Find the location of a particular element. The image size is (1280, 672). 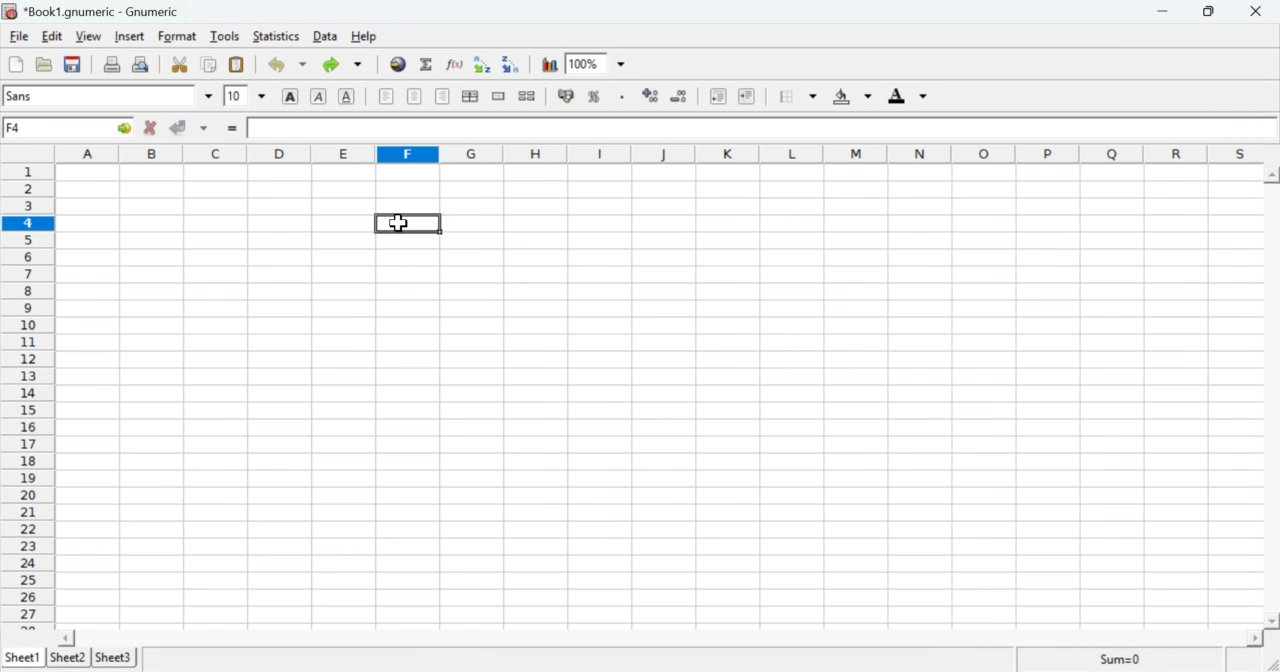

Merge cells is located at coordinates (499, 97).